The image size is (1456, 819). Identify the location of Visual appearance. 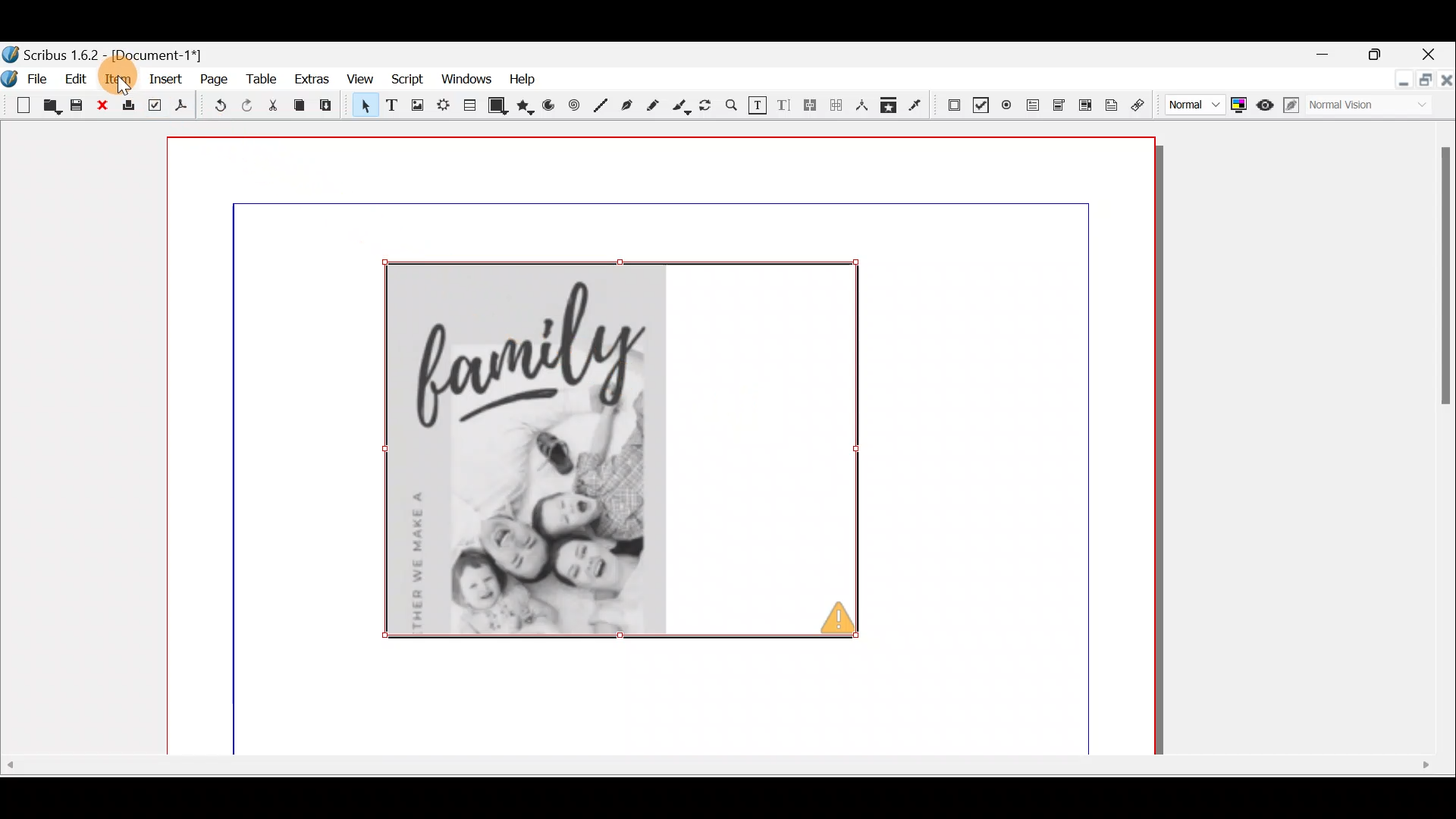
(1367, 108).